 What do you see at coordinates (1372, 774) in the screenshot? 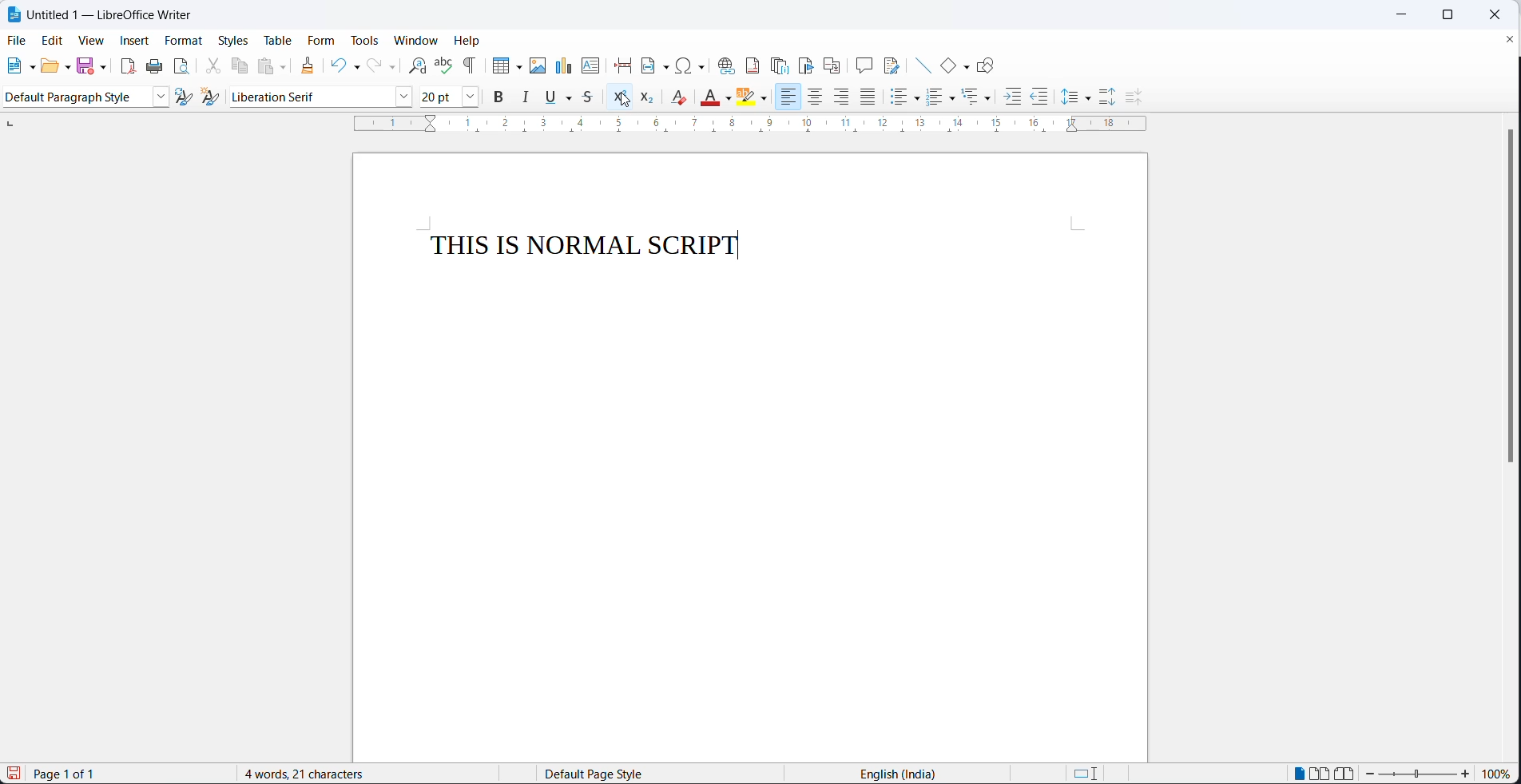
I see `zoom increase` at bounding box center [1372, 774].